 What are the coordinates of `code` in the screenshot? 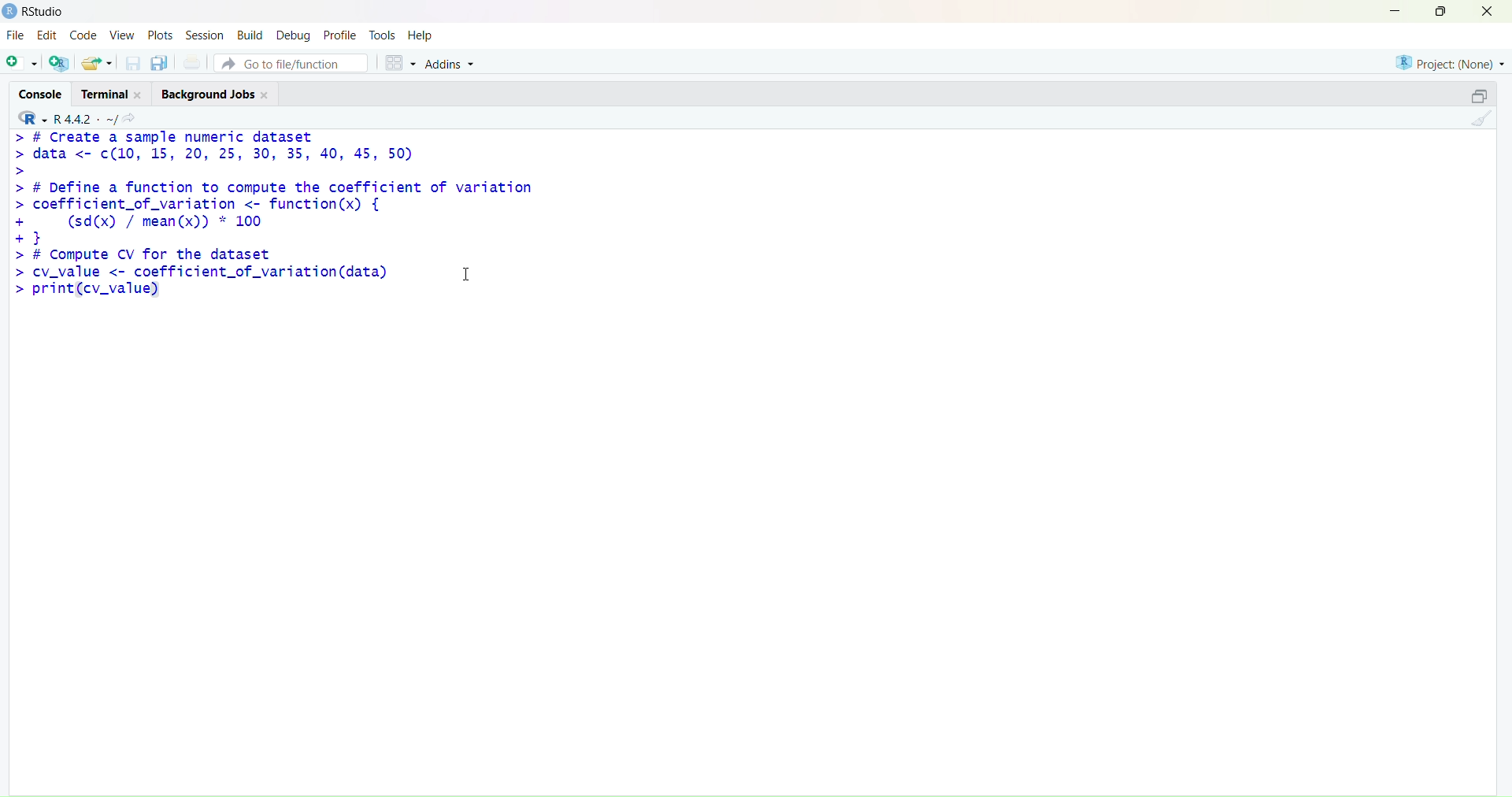 It's located at (83, 35).